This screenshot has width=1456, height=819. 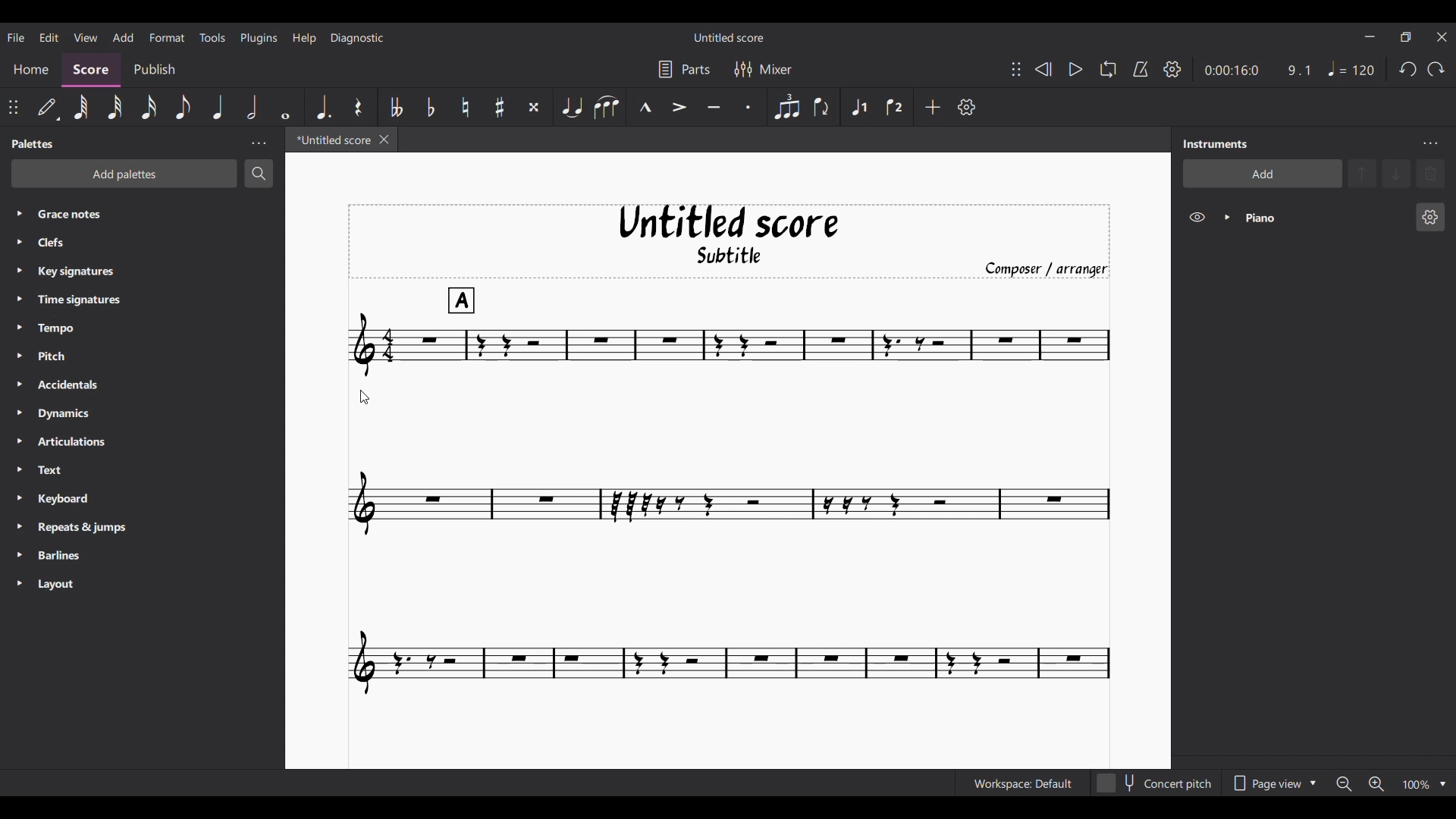 What do you see at coordinates (1344, 785) in the screenshot?
I see `Zoom out` at bounding box center [1344, 785].